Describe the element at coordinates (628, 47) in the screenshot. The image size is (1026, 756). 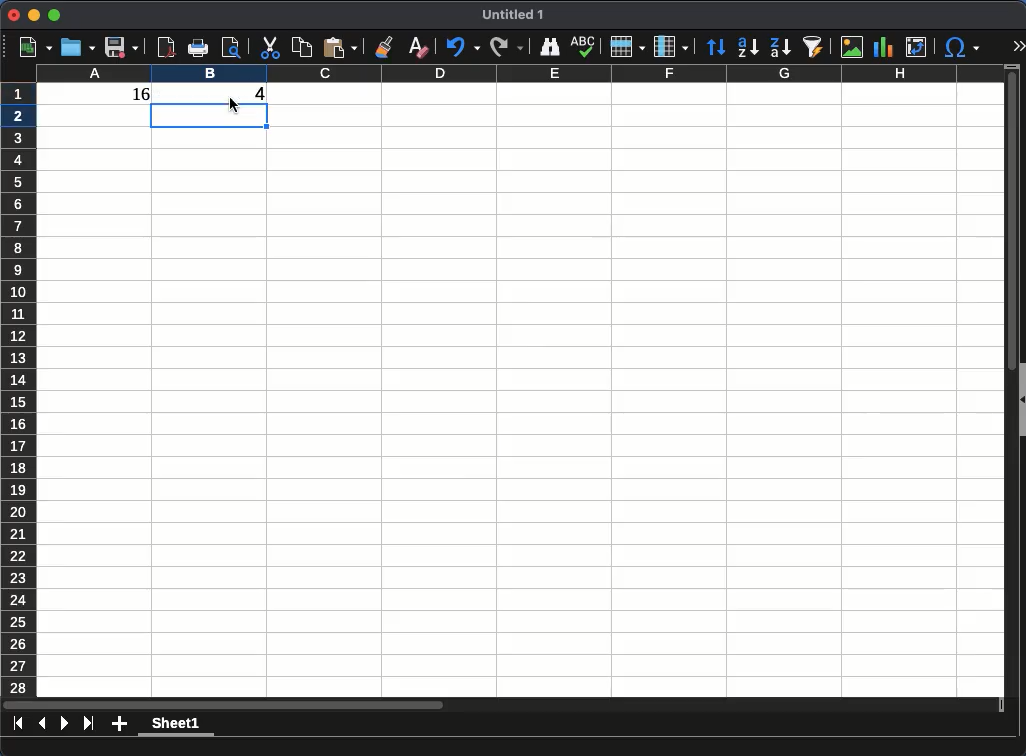
I see `rows` at that location.